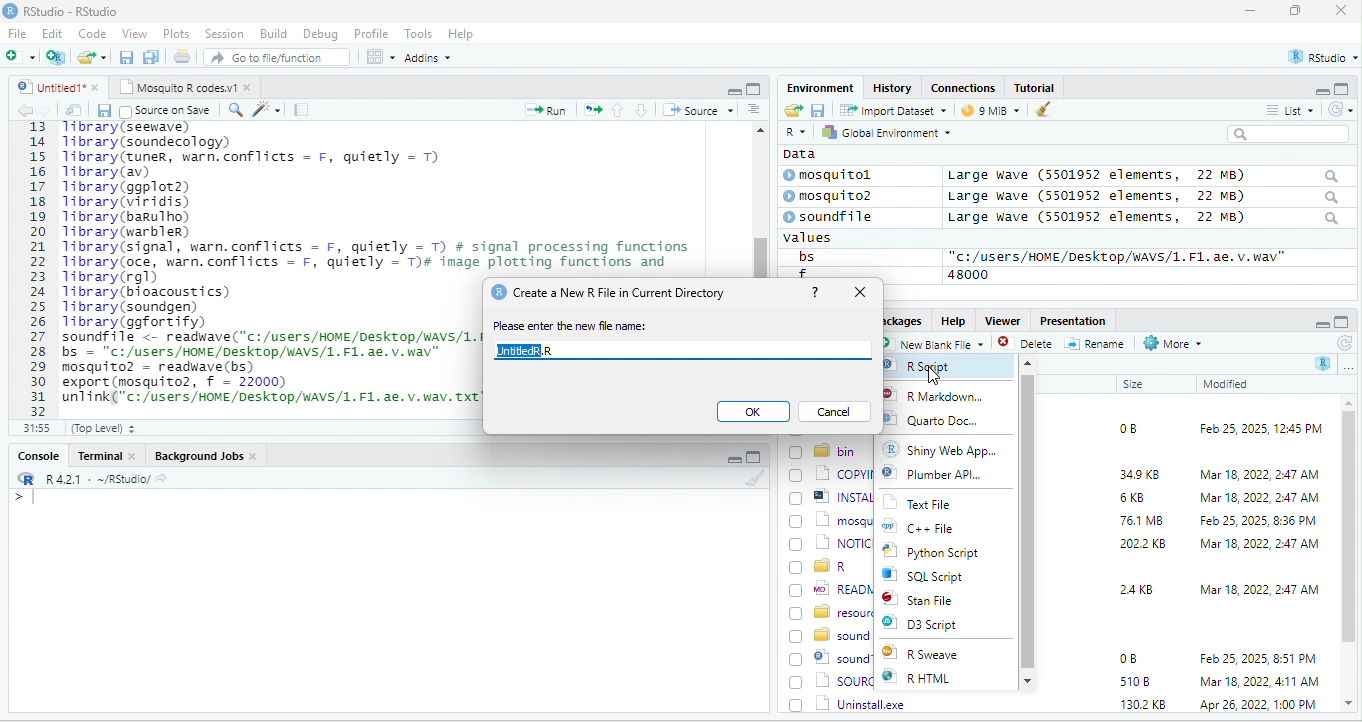 The image size is (1362, 722). I want to click on Rscript, so click(925, 366).